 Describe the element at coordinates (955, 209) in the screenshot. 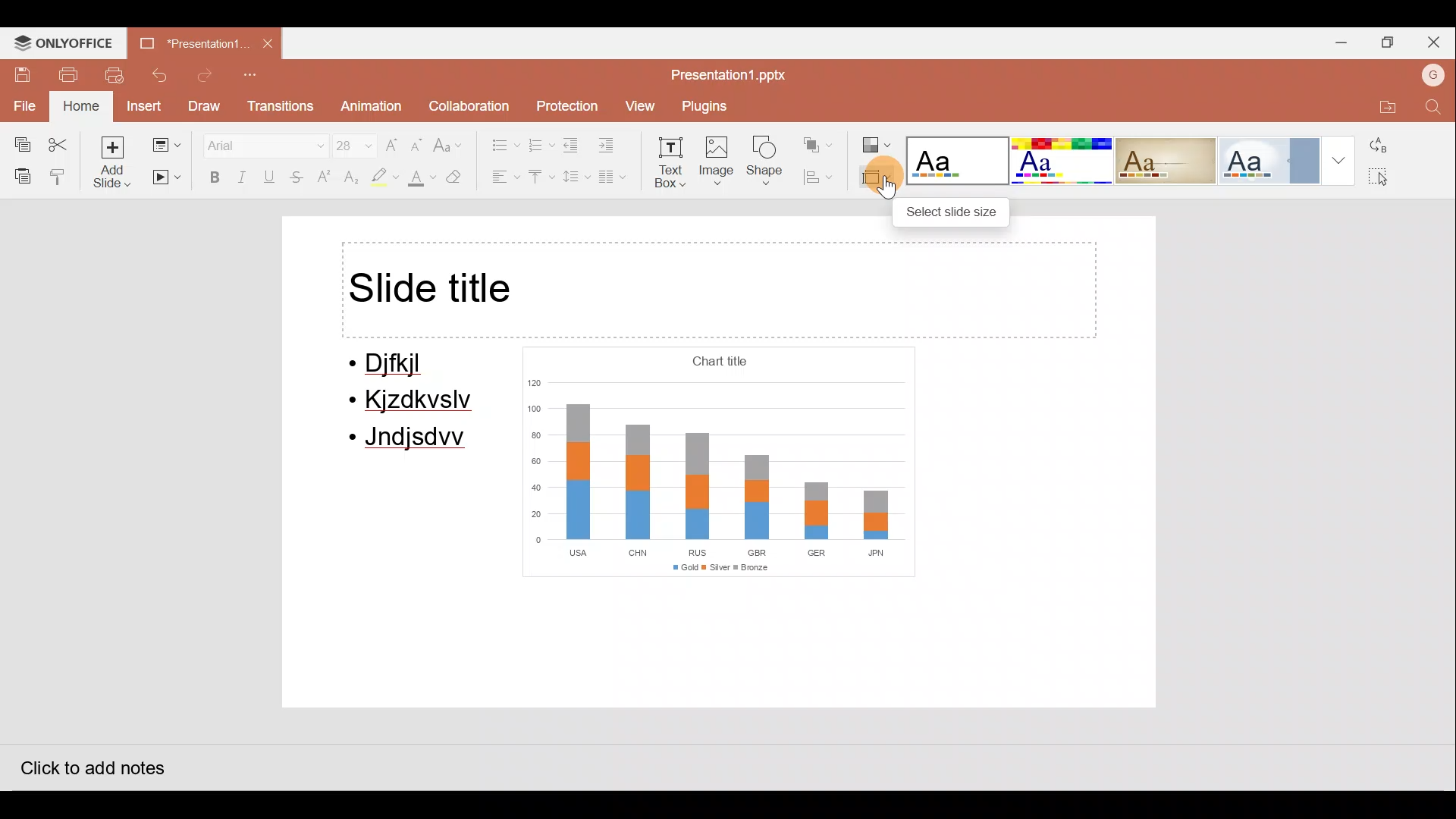

I see `Select slide size` at that location.